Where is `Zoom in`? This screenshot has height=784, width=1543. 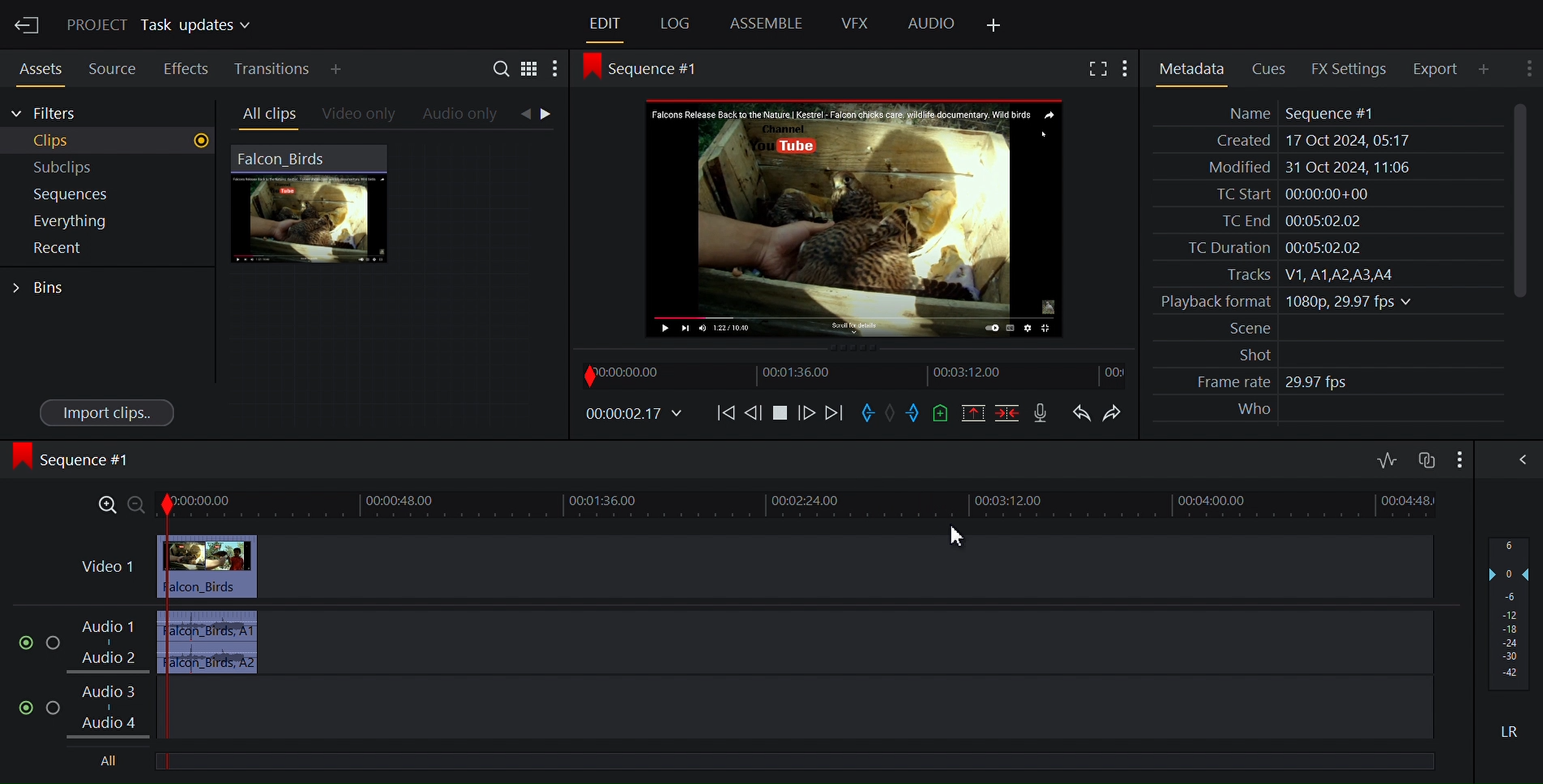
Zoom in is located at coordinates (105, 505).